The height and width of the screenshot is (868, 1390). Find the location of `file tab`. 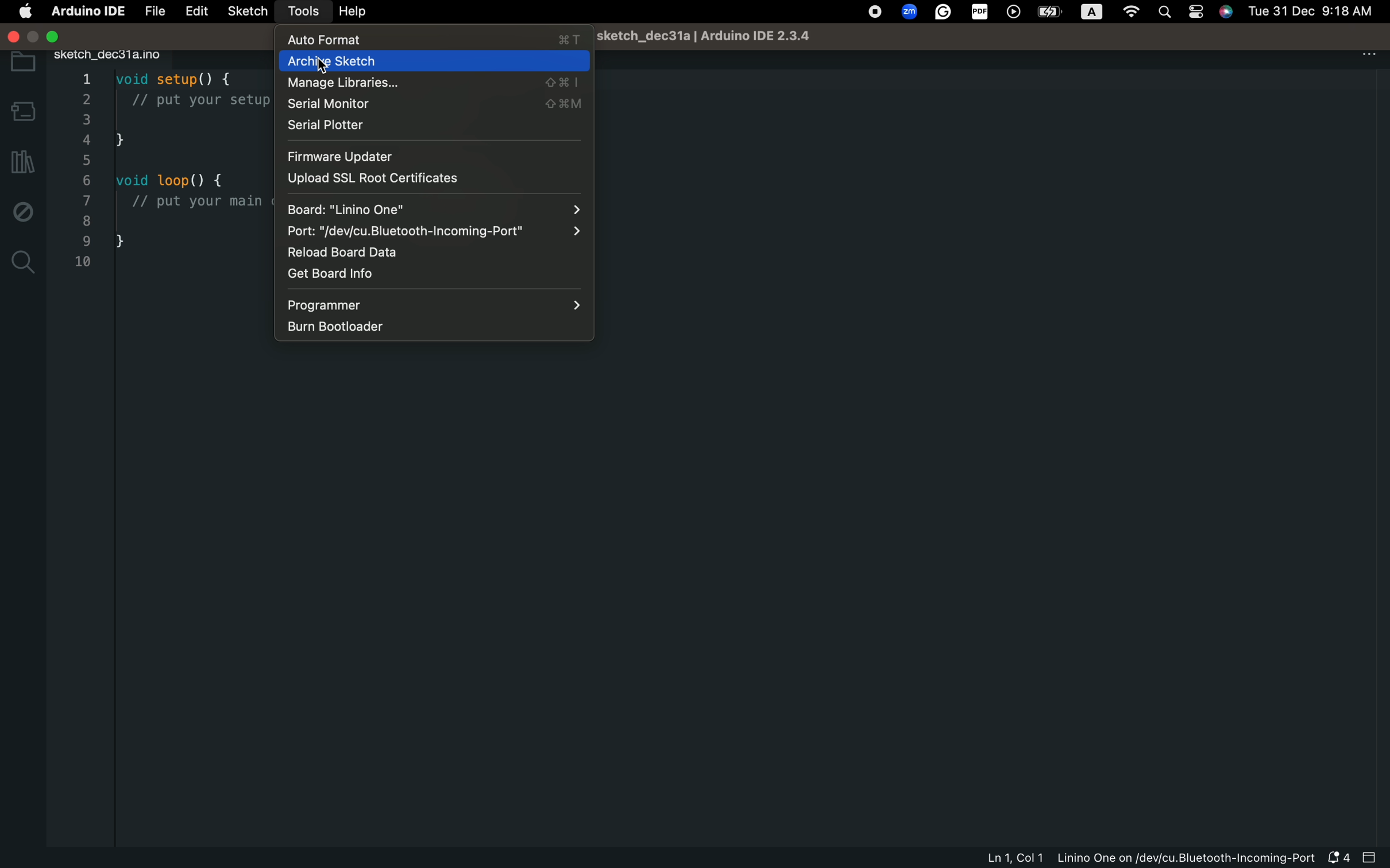

file tab is located at coordinates (115, 54).